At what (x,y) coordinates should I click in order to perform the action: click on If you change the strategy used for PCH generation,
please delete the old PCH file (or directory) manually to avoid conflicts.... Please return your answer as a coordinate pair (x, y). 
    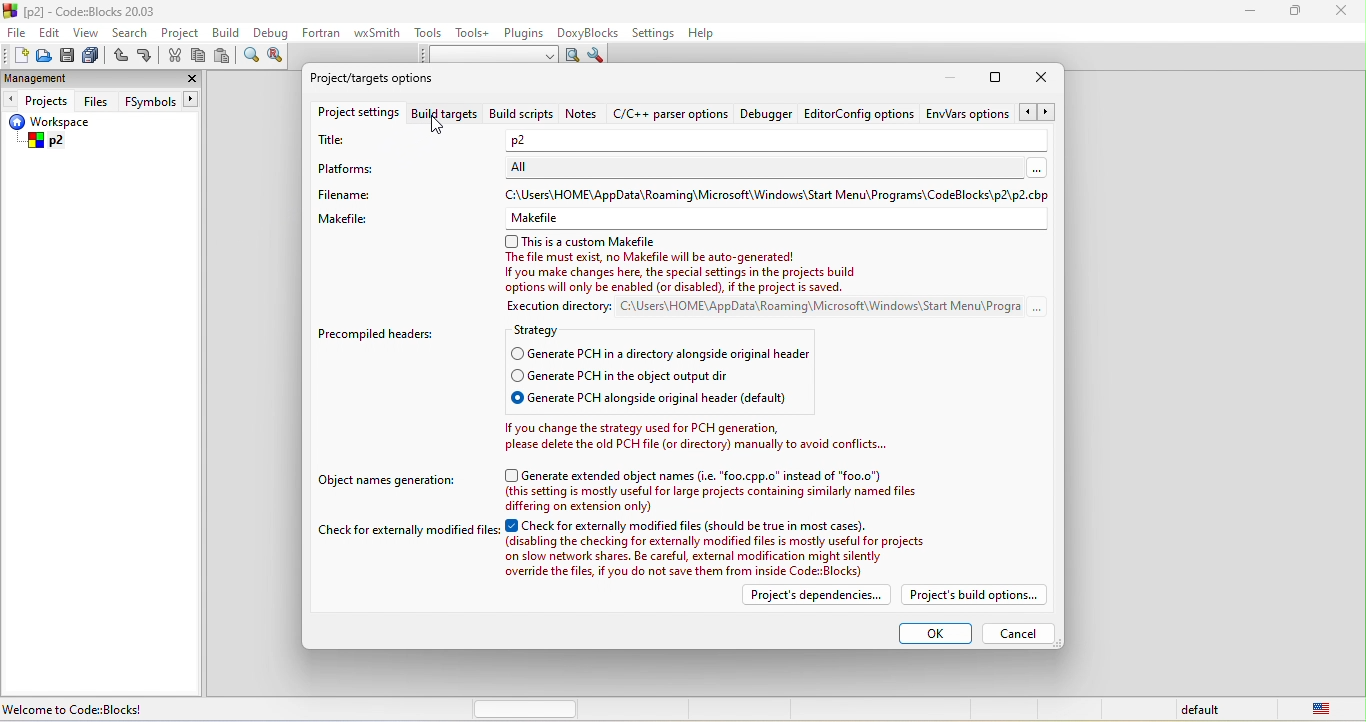
    Looking at the image, I should click on (692, 437).